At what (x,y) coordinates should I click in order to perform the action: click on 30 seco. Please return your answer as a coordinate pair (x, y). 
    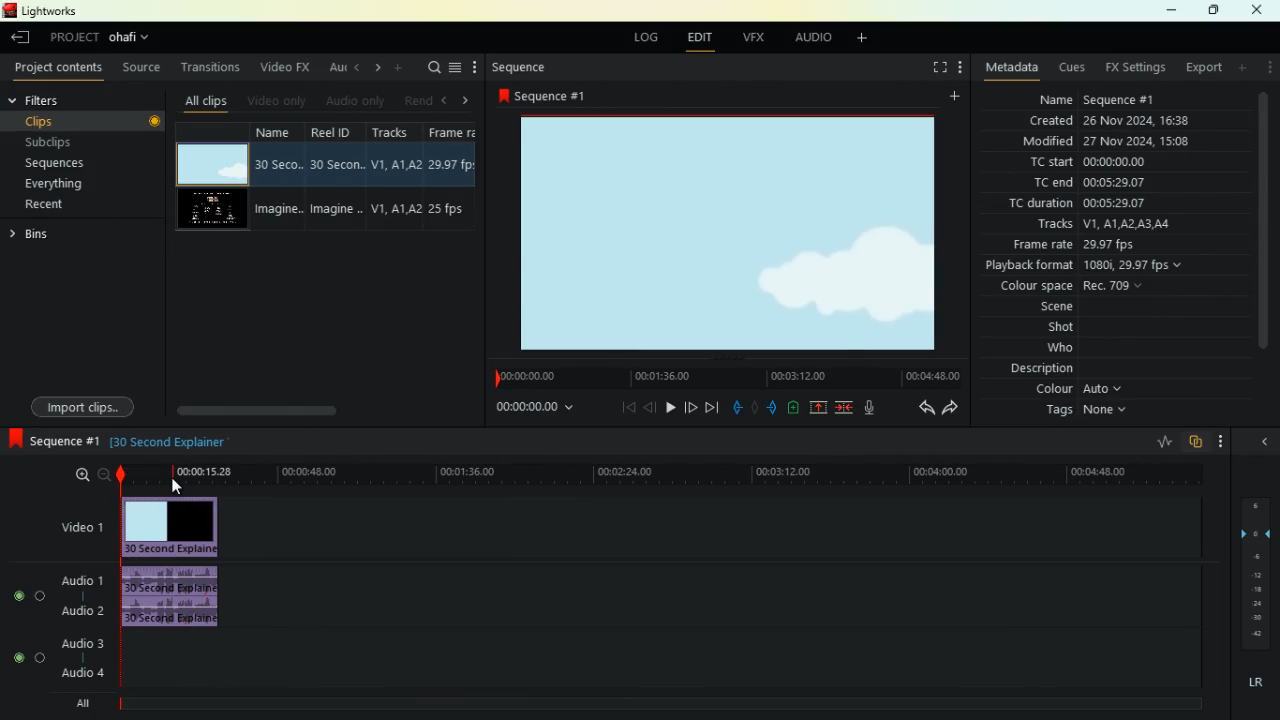
    Looking at the image, I should click on (336, 165).